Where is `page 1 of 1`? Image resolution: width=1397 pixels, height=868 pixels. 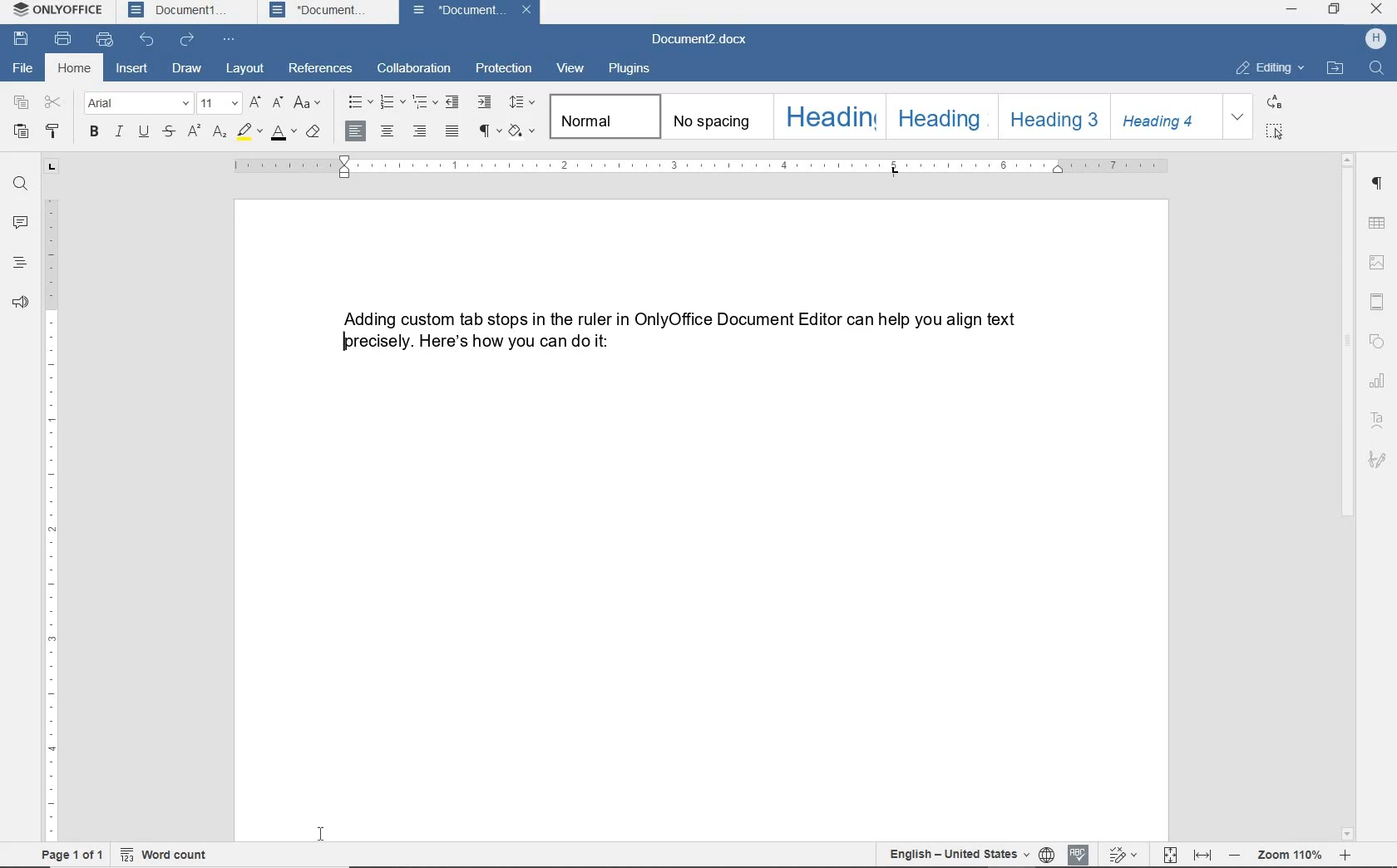
page 1 of 1 is located at coordinates (71, 856).